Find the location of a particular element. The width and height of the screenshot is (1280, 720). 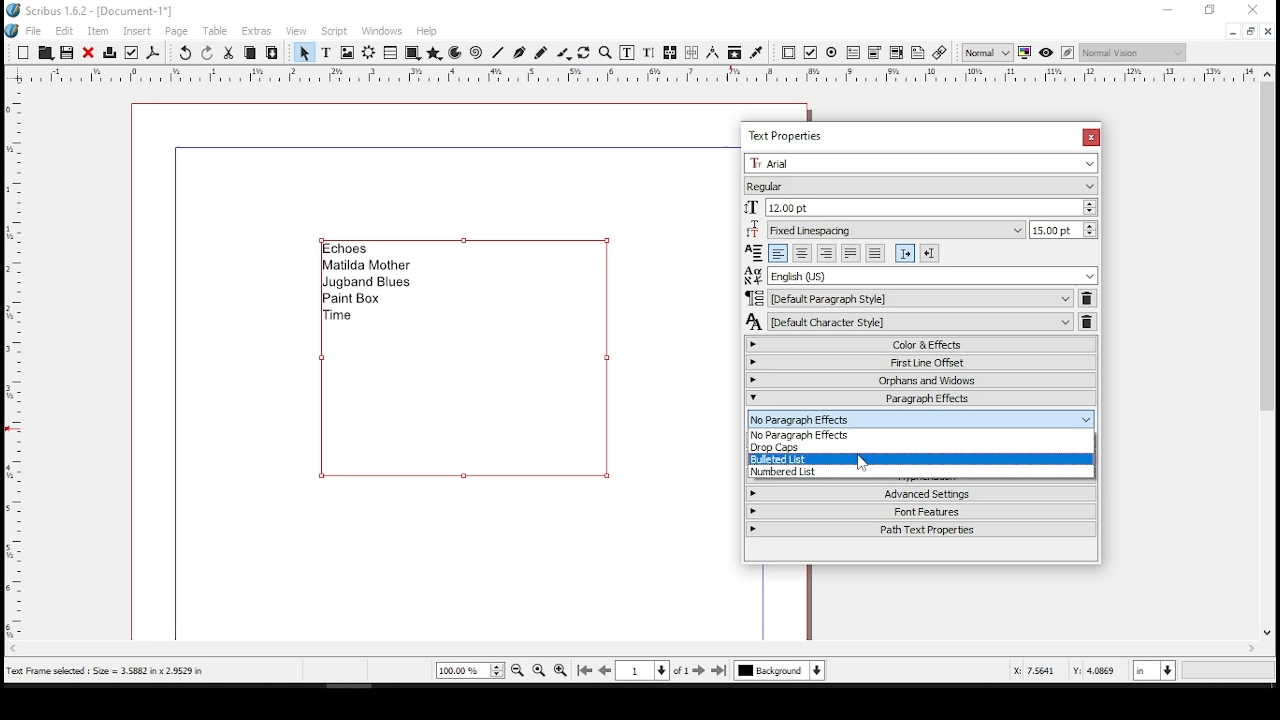

drop caps is located at coordinates (920, 449).